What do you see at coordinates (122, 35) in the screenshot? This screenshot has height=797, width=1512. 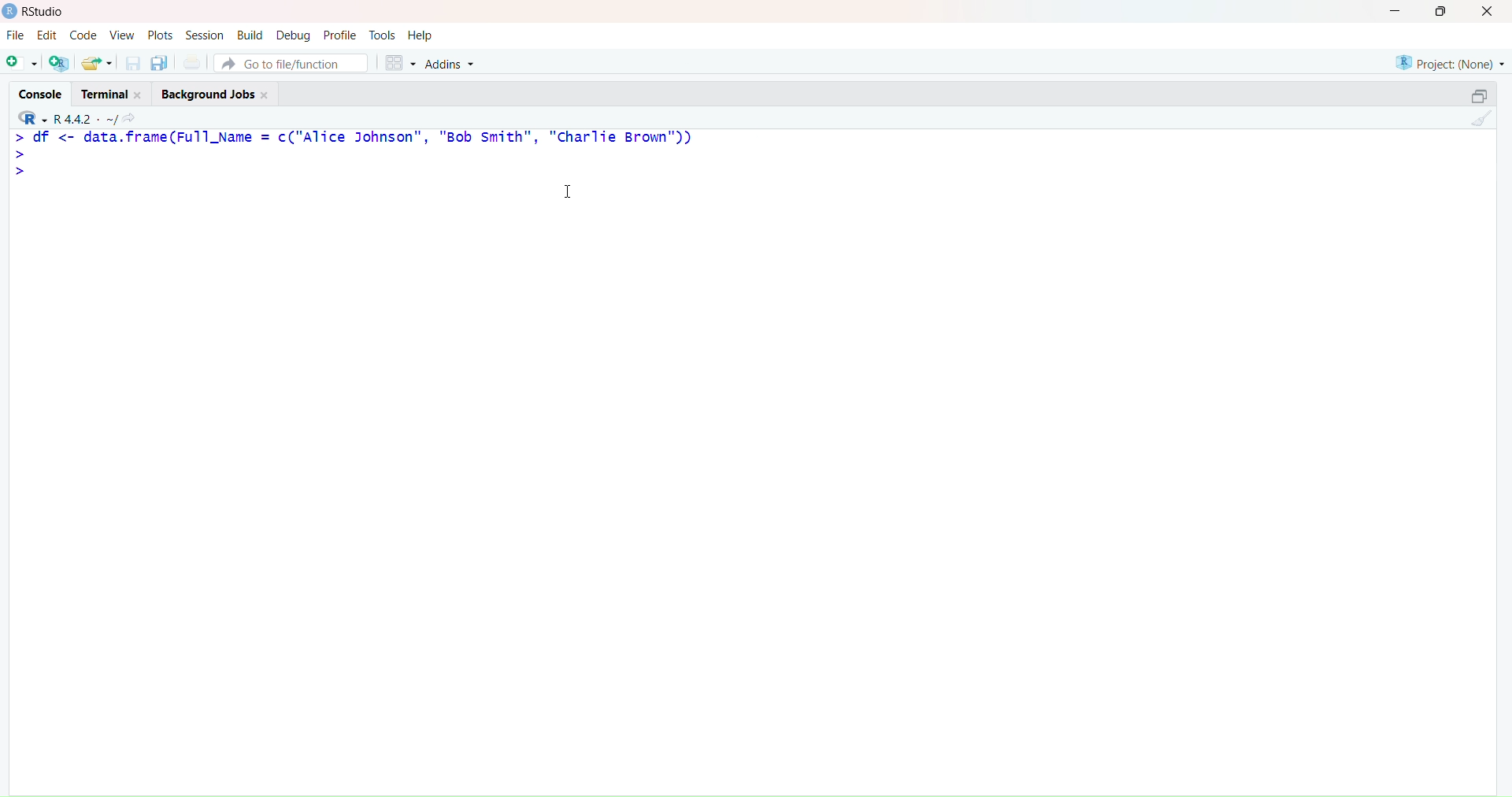 I see `View` at bounding box center [122, 35].